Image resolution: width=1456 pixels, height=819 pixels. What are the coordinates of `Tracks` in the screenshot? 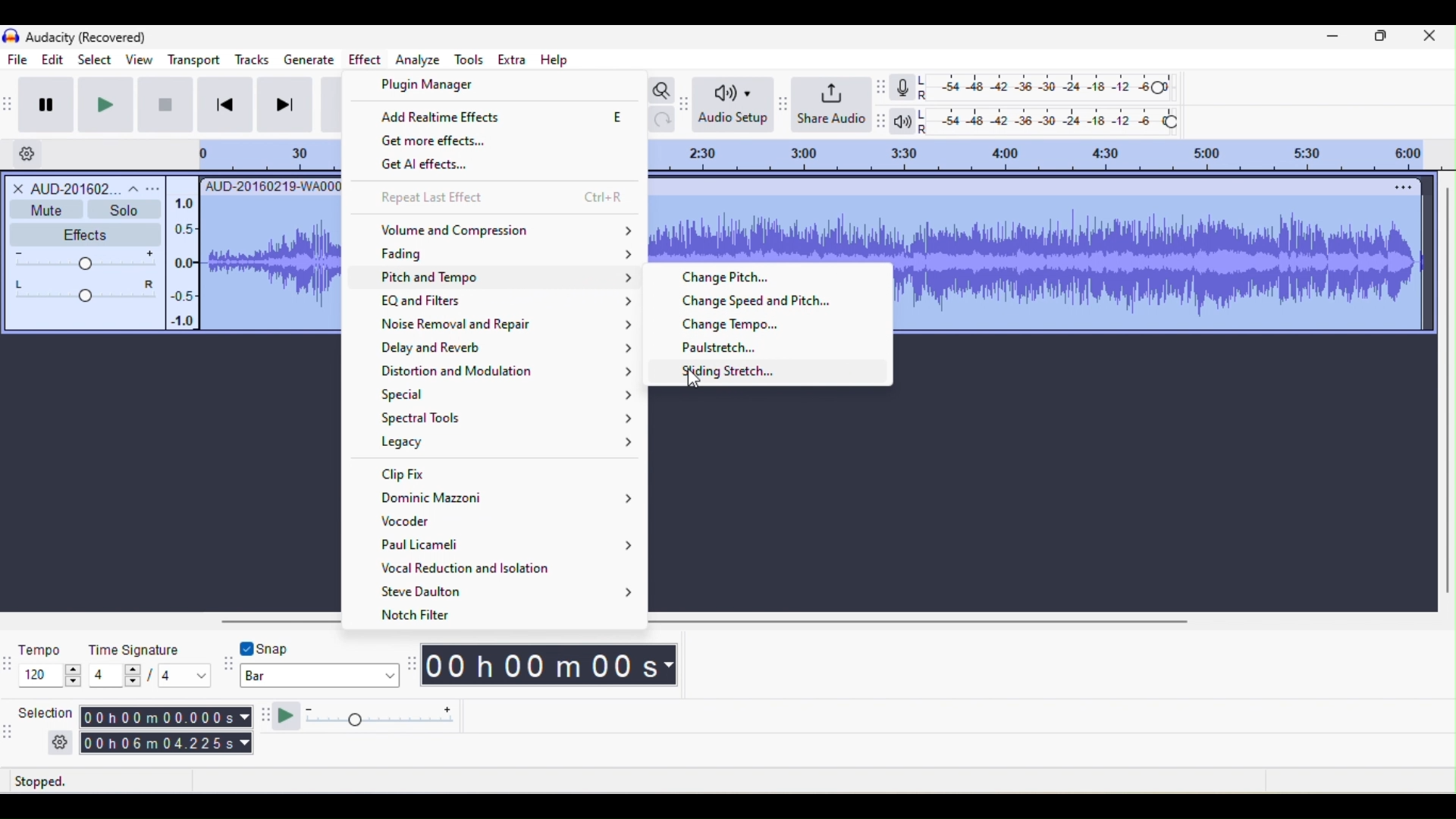 It's located at (253, 58).